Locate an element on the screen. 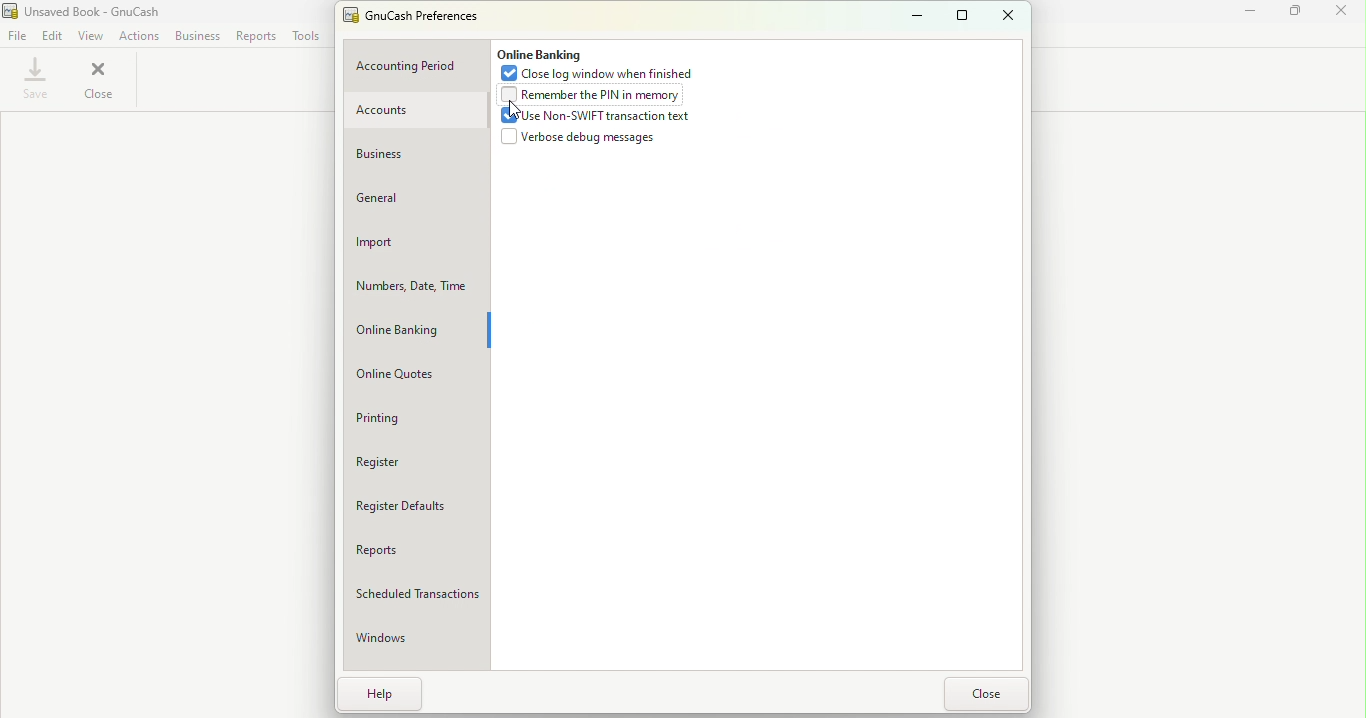 The width and height of the screenshot is (1366, 718). Maximize is located at coordinates (962, 15).